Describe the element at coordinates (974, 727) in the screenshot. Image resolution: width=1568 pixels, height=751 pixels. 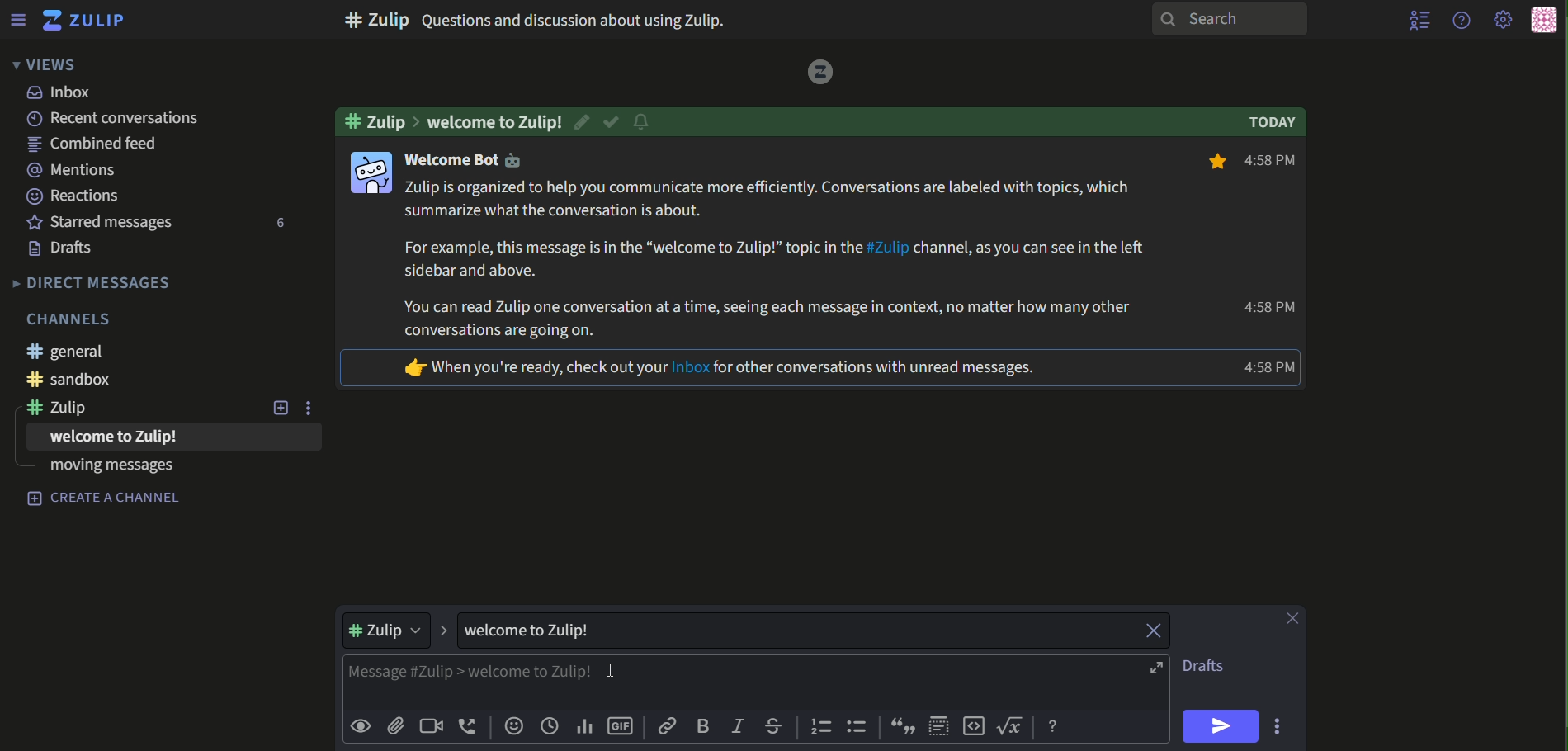
I see `code` at that location.